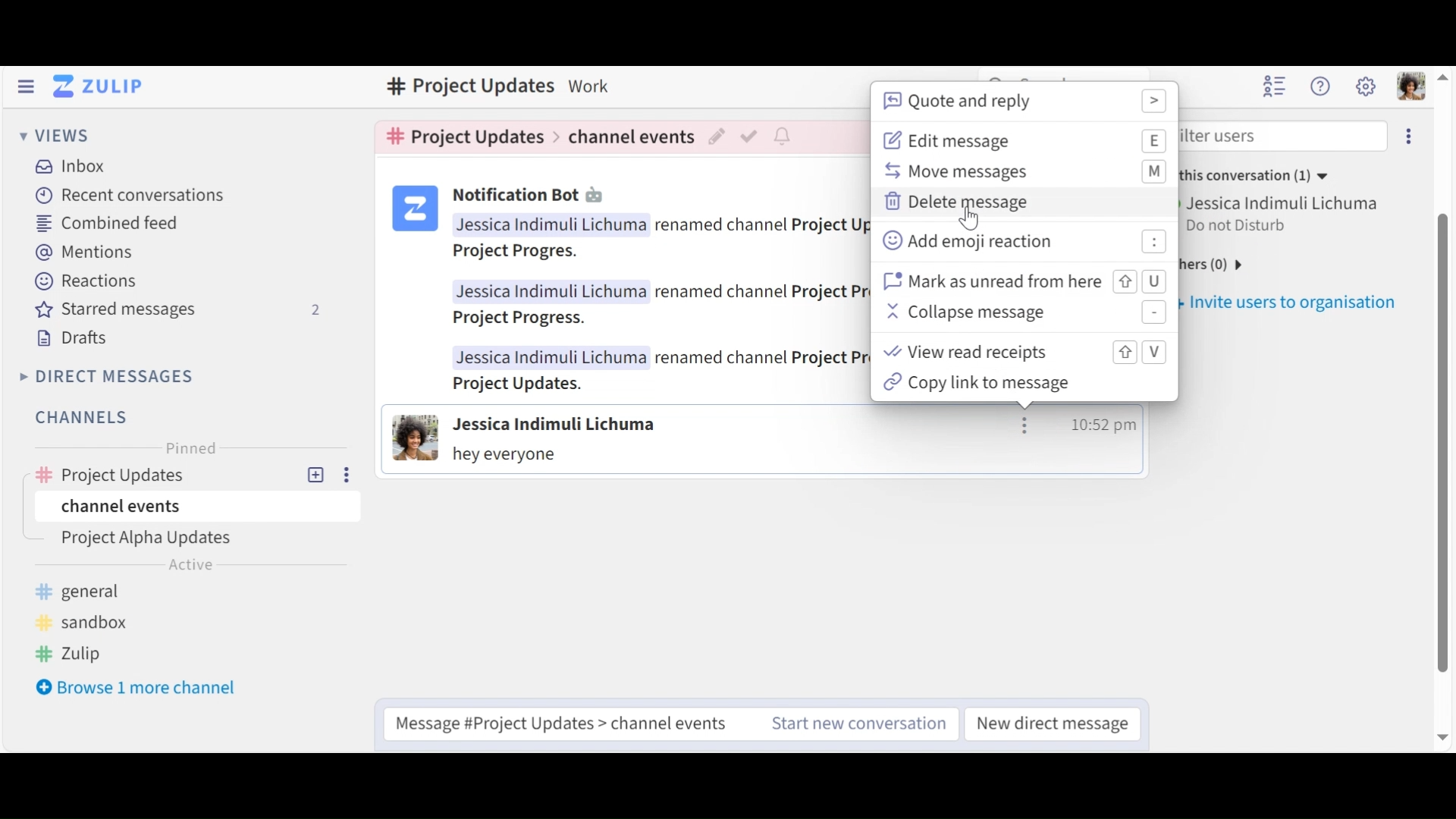  I want to click on Go to Home View, so click(102, 86).